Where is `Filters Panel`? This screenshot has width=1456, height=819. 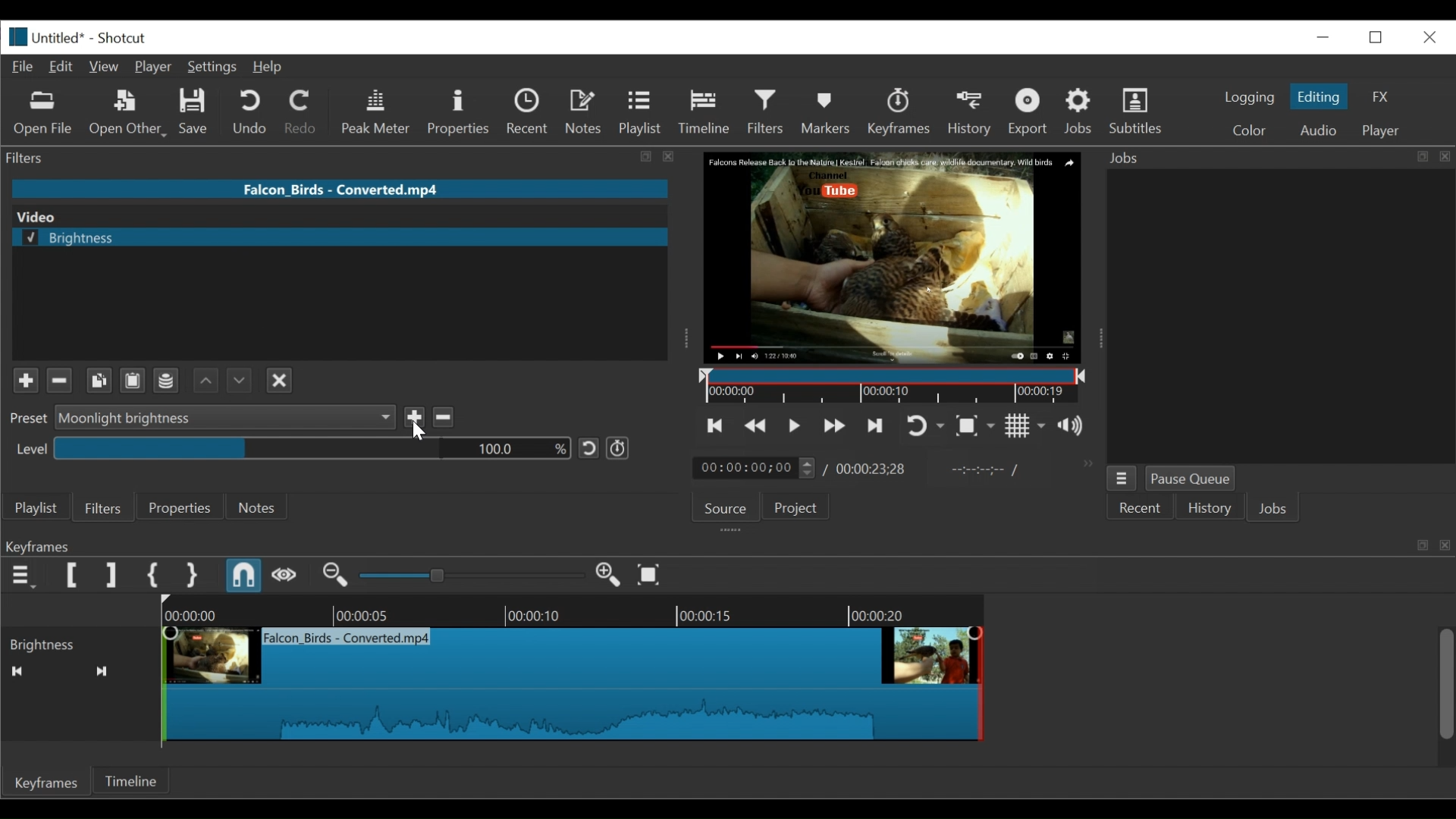 Filters Panel is located at coordinates (344, 158).